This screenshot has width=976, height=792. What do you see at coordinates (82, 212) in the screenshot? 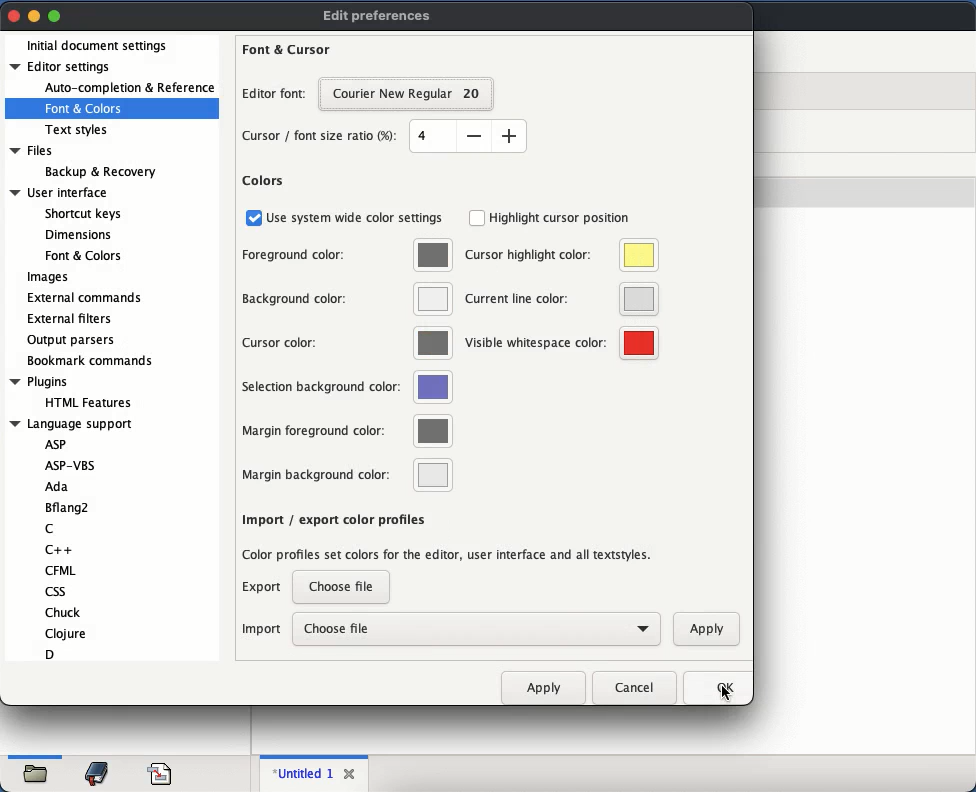
I see `Shortcut keys` at bounding box center [82, 212].